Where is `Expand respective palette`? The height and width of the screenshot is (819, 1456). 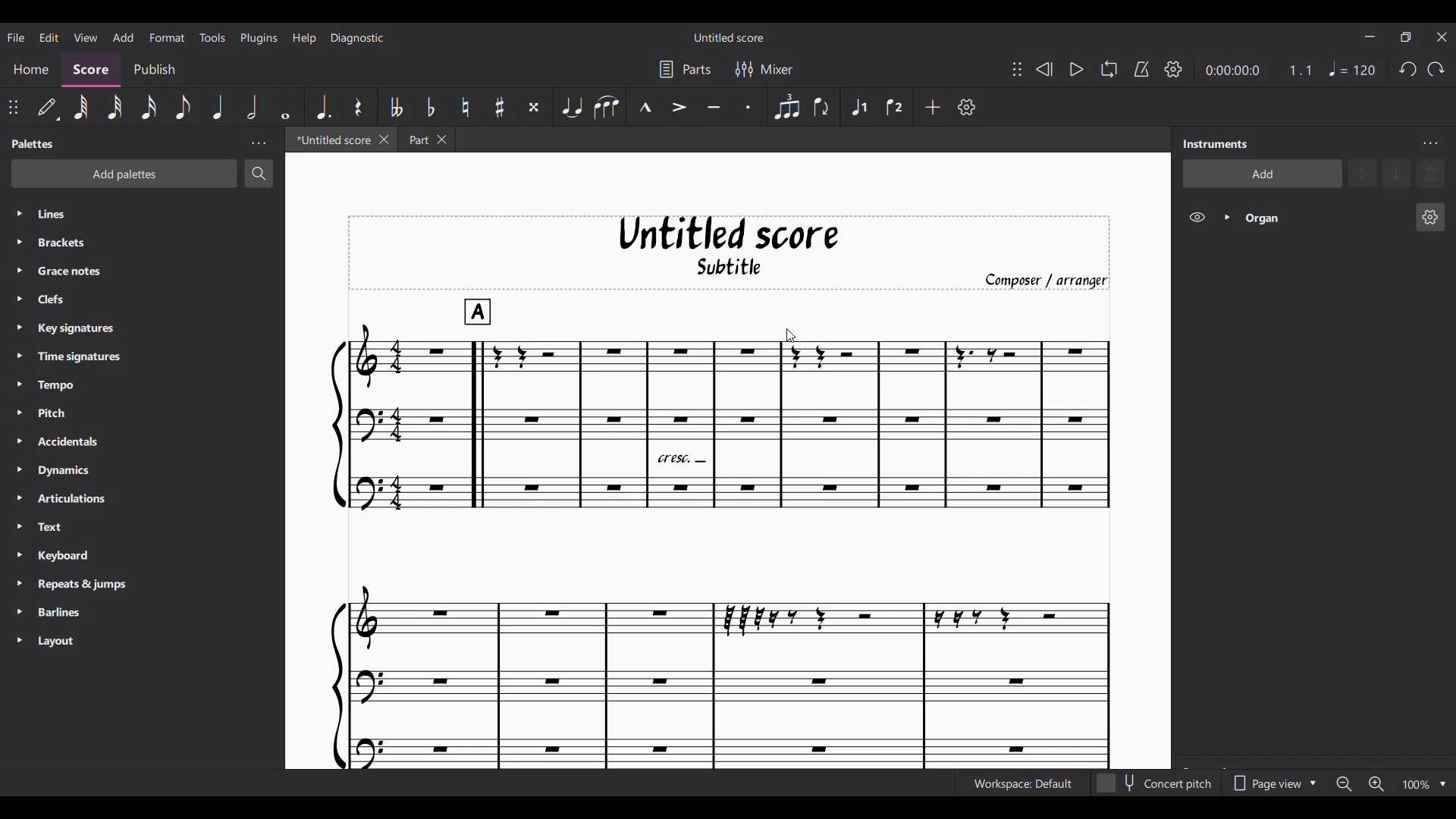
Expand respective palette is located at coordinates (19, 427).